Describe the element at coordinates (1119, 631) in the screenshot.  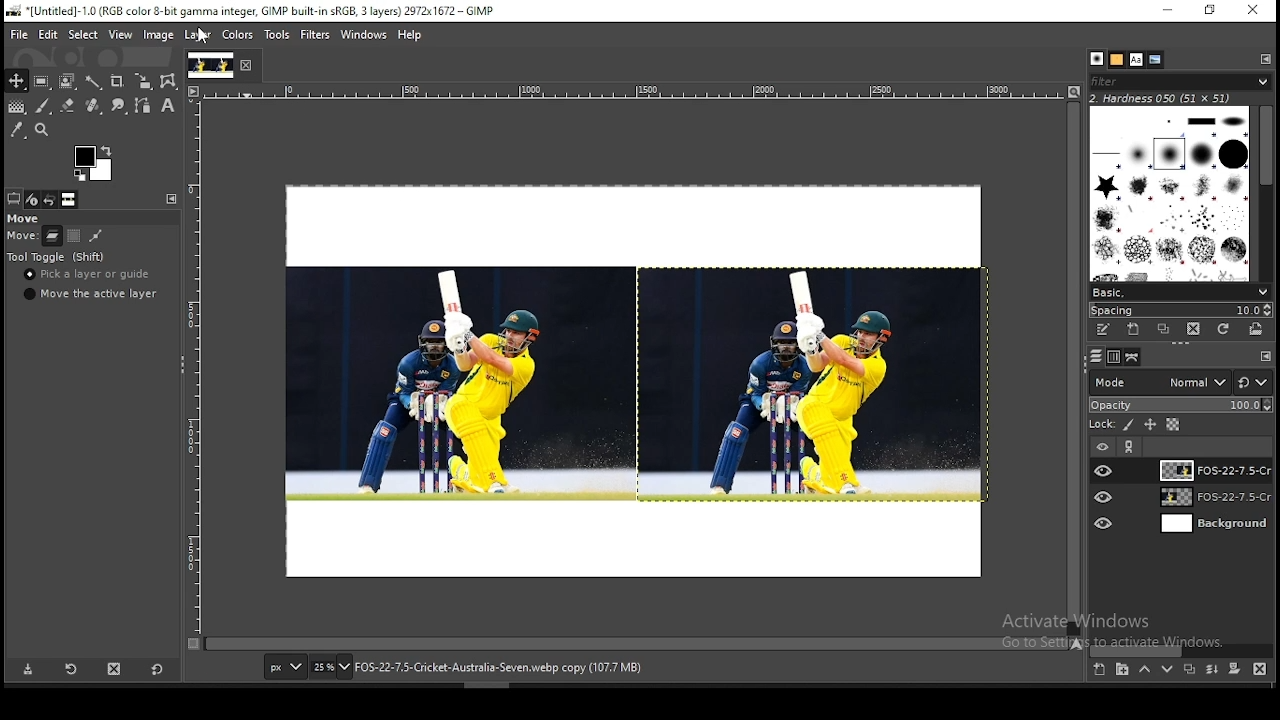
I see `text` at that location.